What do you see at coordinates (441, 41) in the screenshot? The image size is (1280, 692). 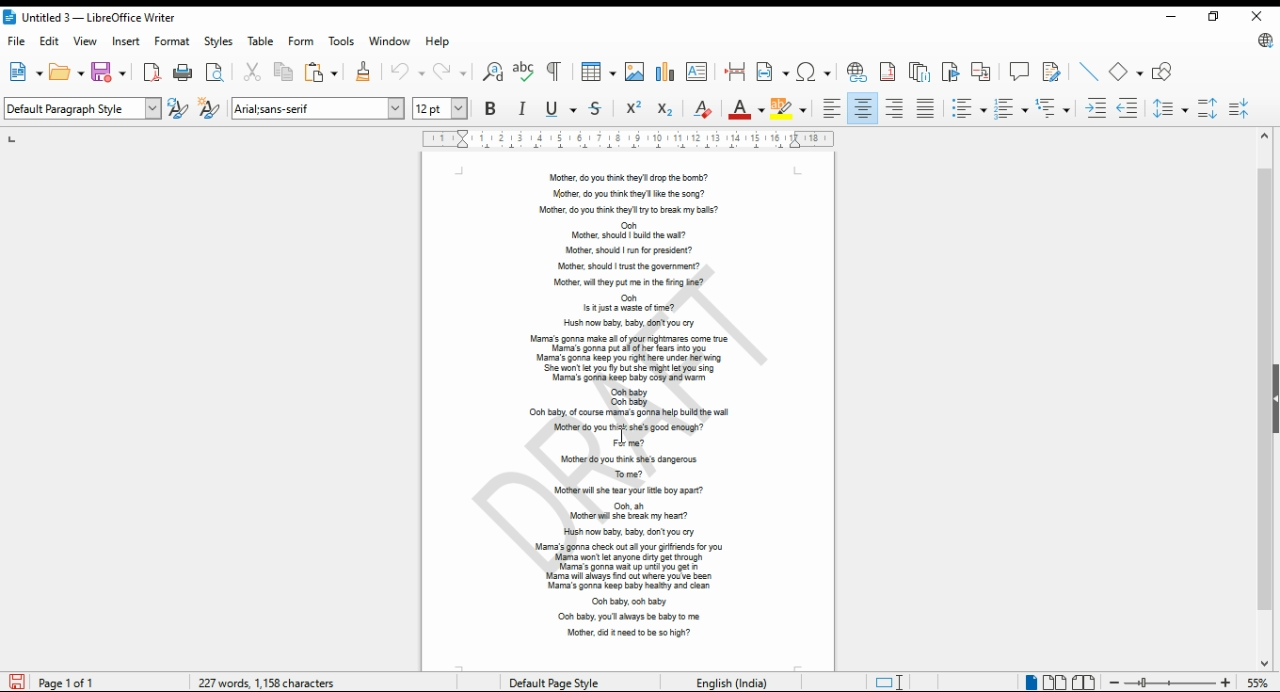 I see `help` at bounding box center [441, 41].